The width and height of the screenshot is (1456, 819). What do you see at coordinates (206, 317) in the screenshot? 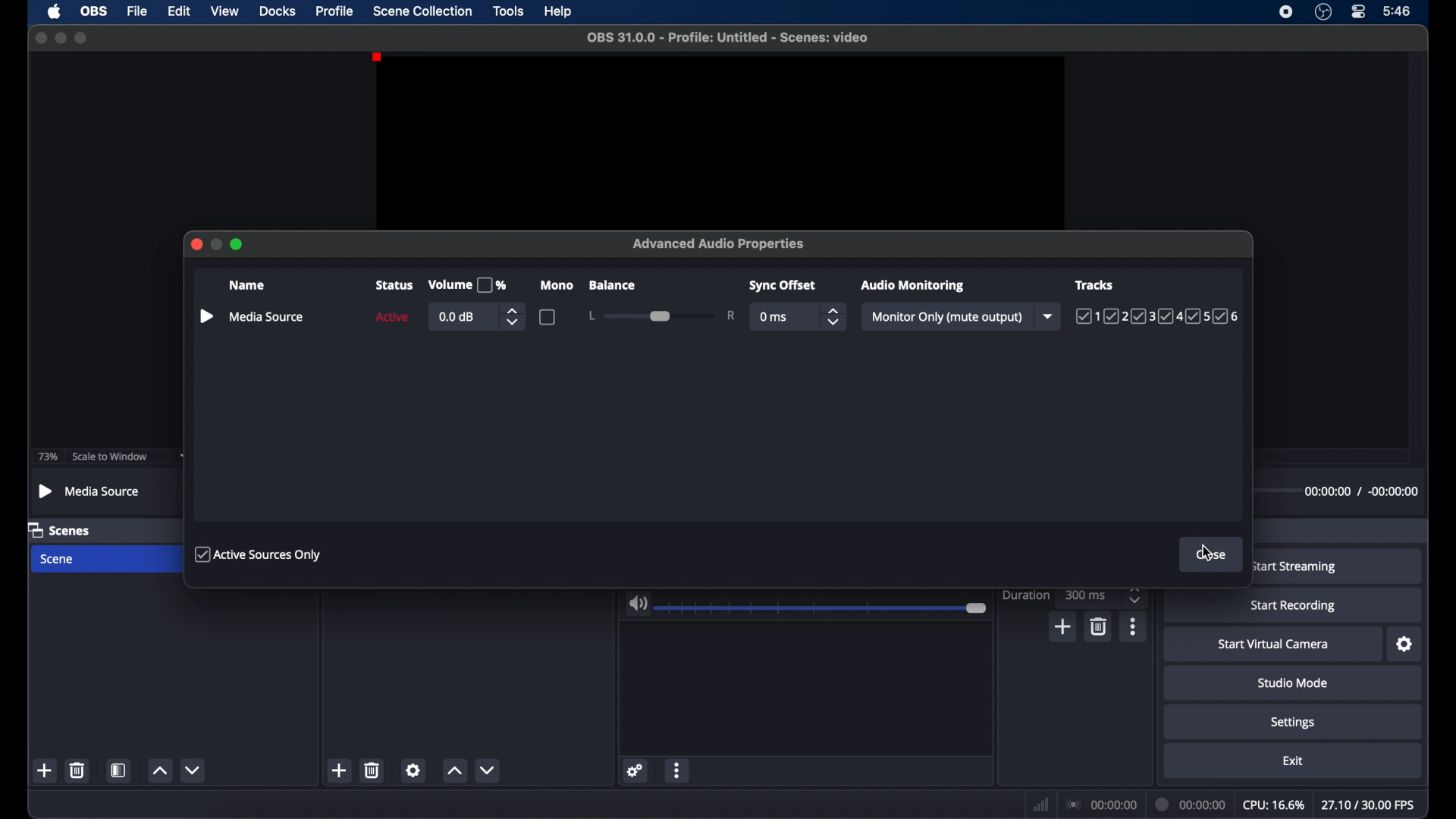
I see `sidebar` at bounding box center [206, 317].